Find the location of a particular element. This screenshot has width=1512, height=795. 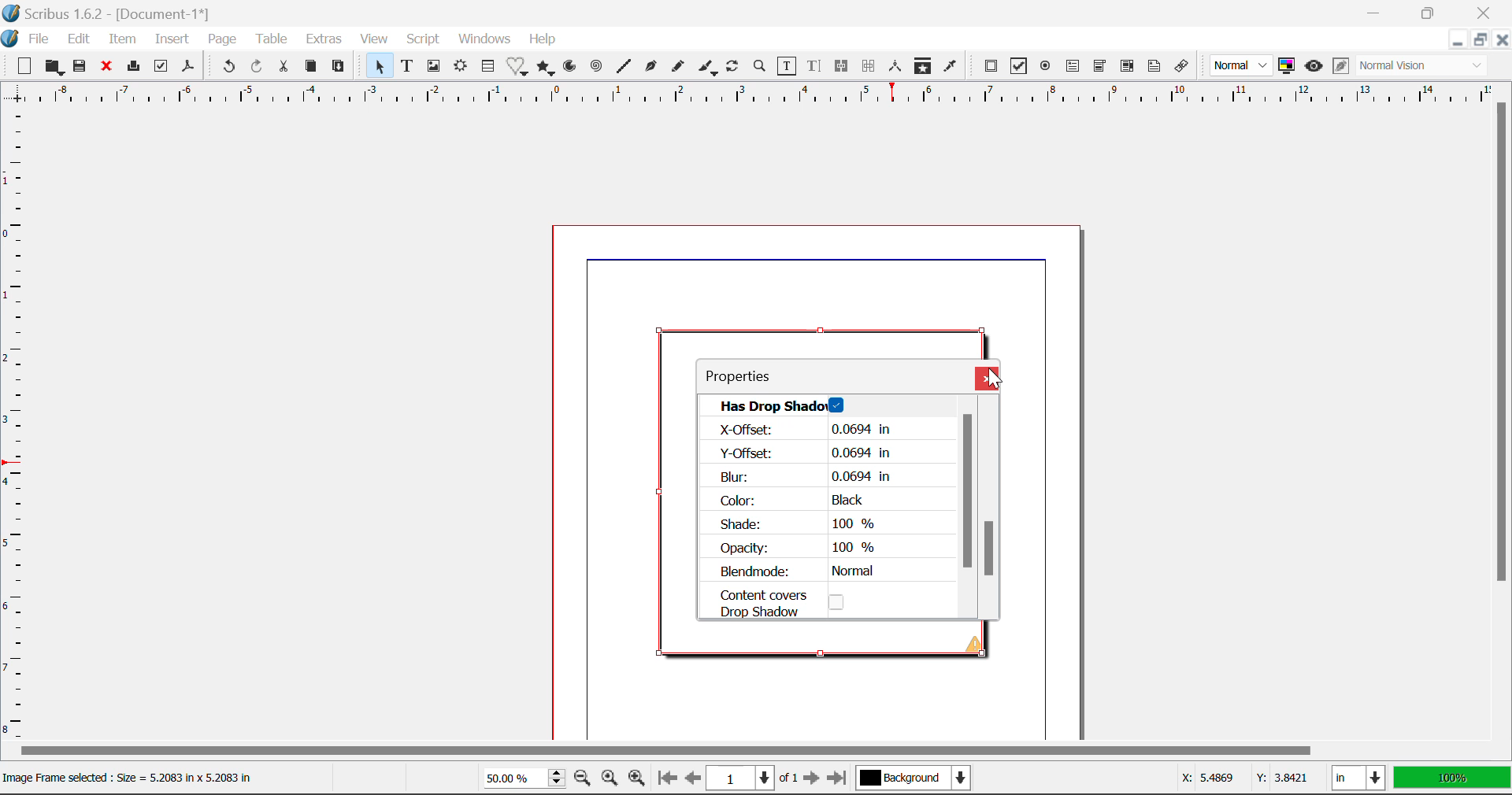

Help is located at coordinates (544, 40).